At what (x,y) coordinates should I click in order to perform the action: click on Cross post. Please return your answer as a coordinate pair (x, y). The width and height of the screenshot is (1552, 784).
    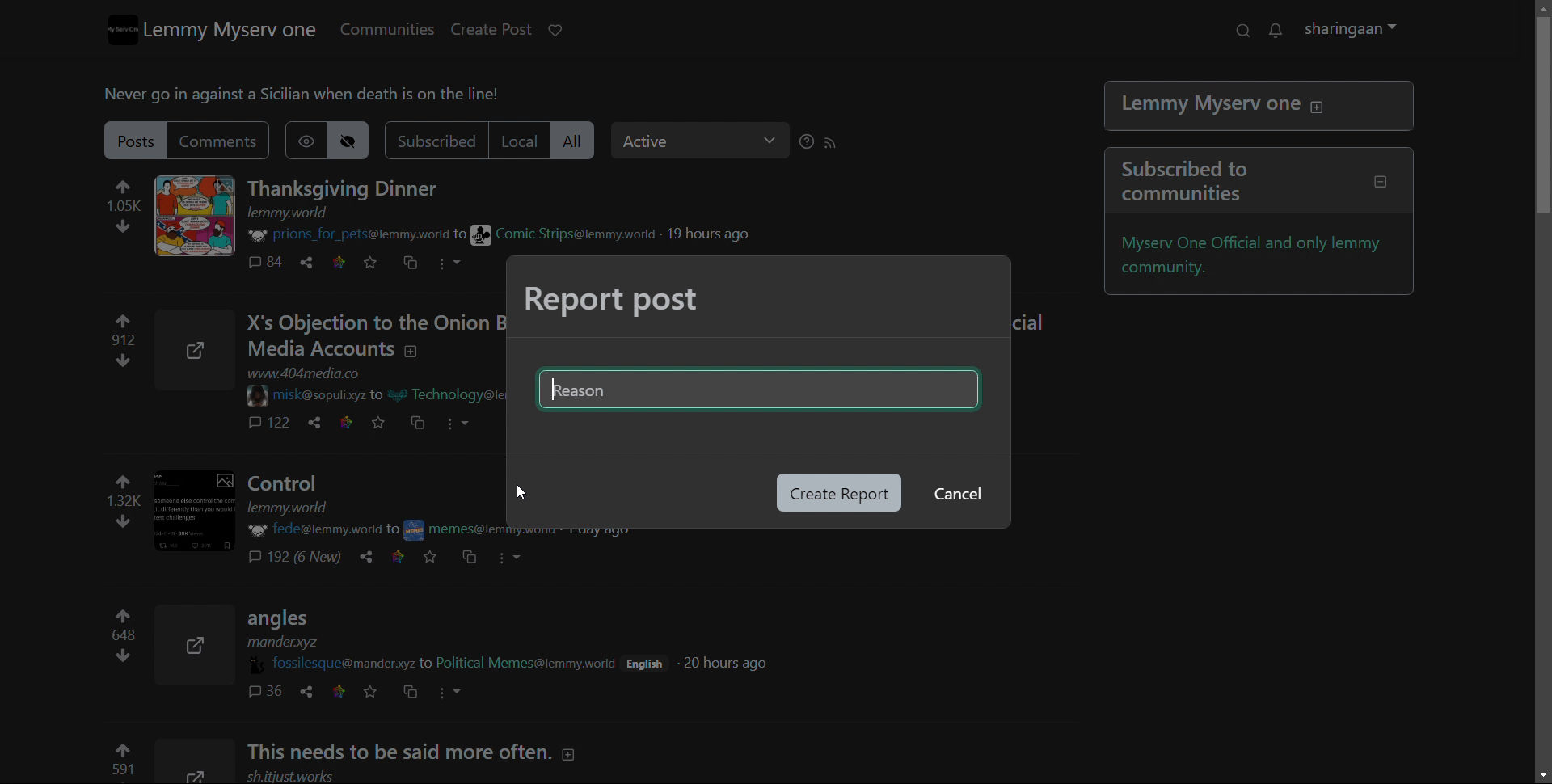
    Looking at the image, I should click on (470, 558).